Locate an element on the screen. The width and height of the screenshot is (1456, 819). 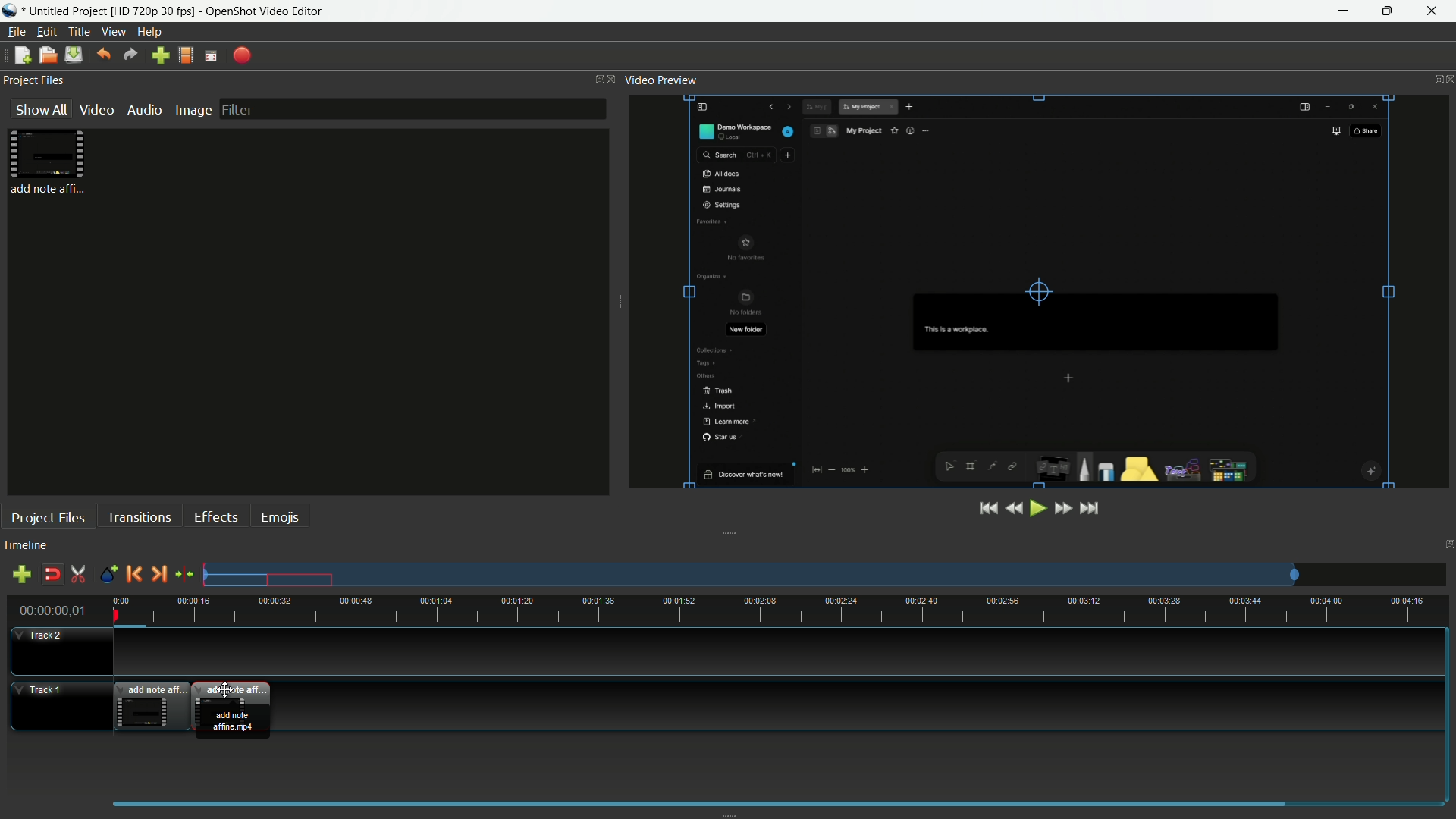
project file is located at coordinates (48, 163).